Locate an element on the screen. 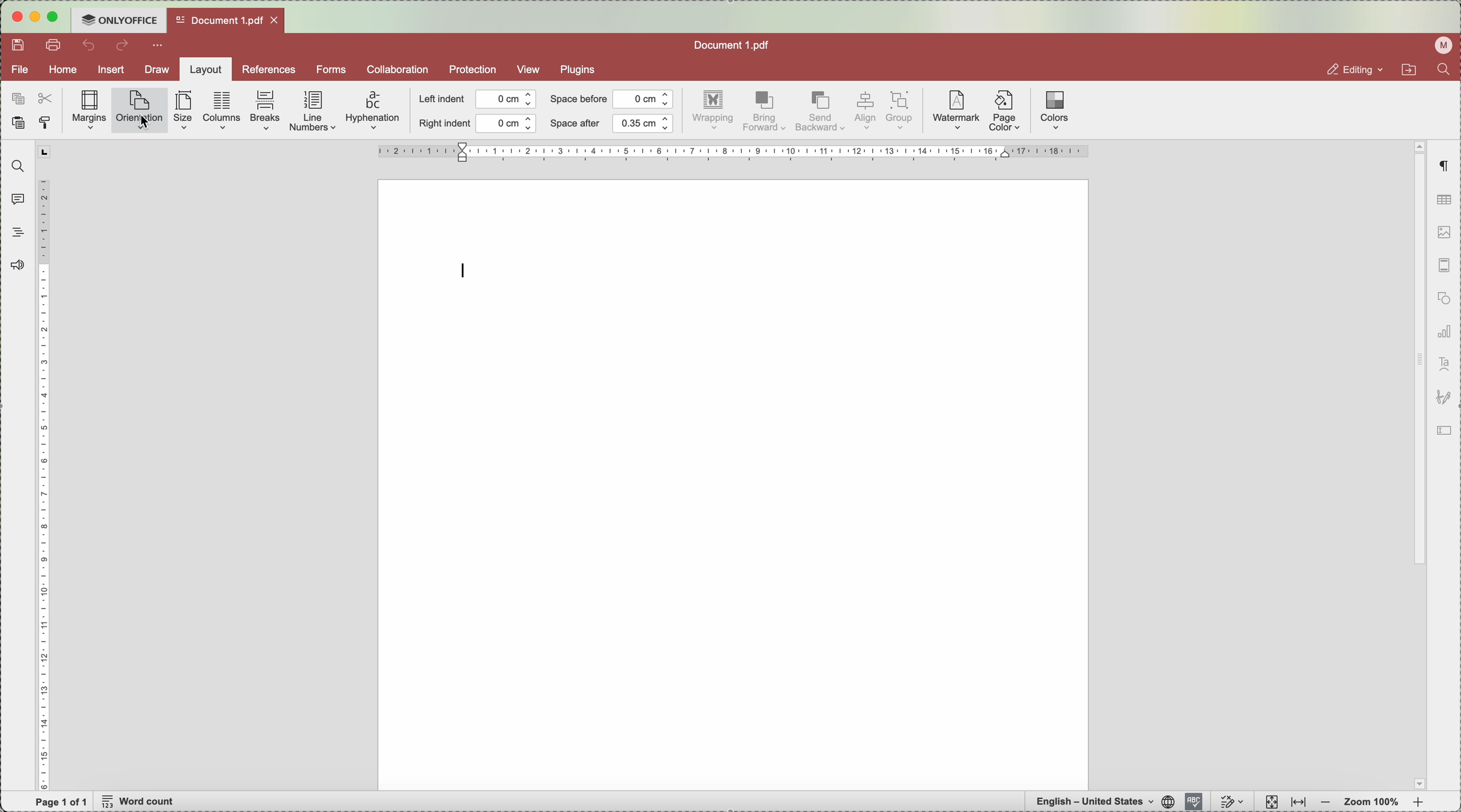  draw is located at coordinates (153, 70).